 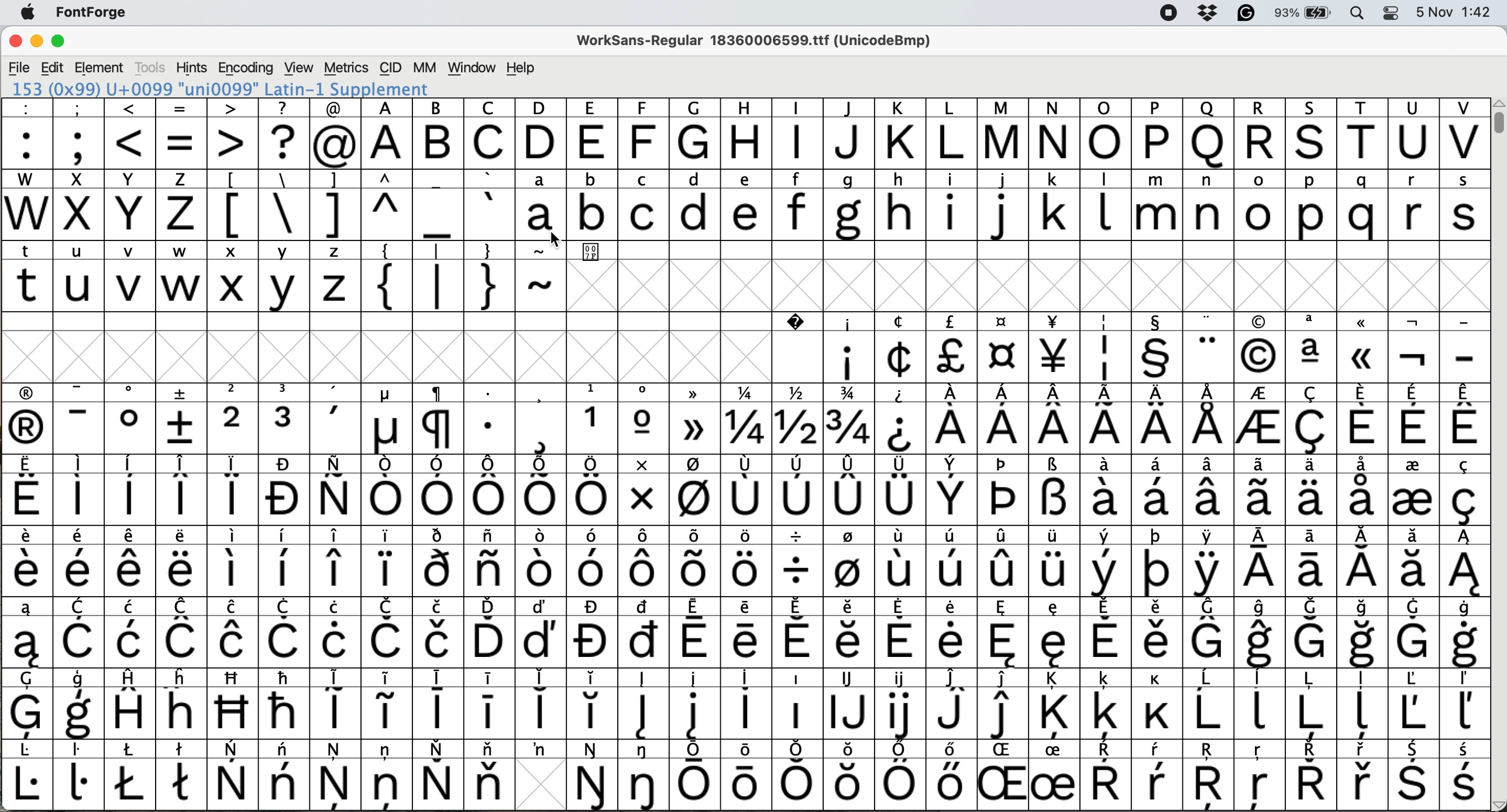 What do you see at coordinates (1310, 703) in the screenshot?
I see `symbol` at bounding box center [1310, 703].